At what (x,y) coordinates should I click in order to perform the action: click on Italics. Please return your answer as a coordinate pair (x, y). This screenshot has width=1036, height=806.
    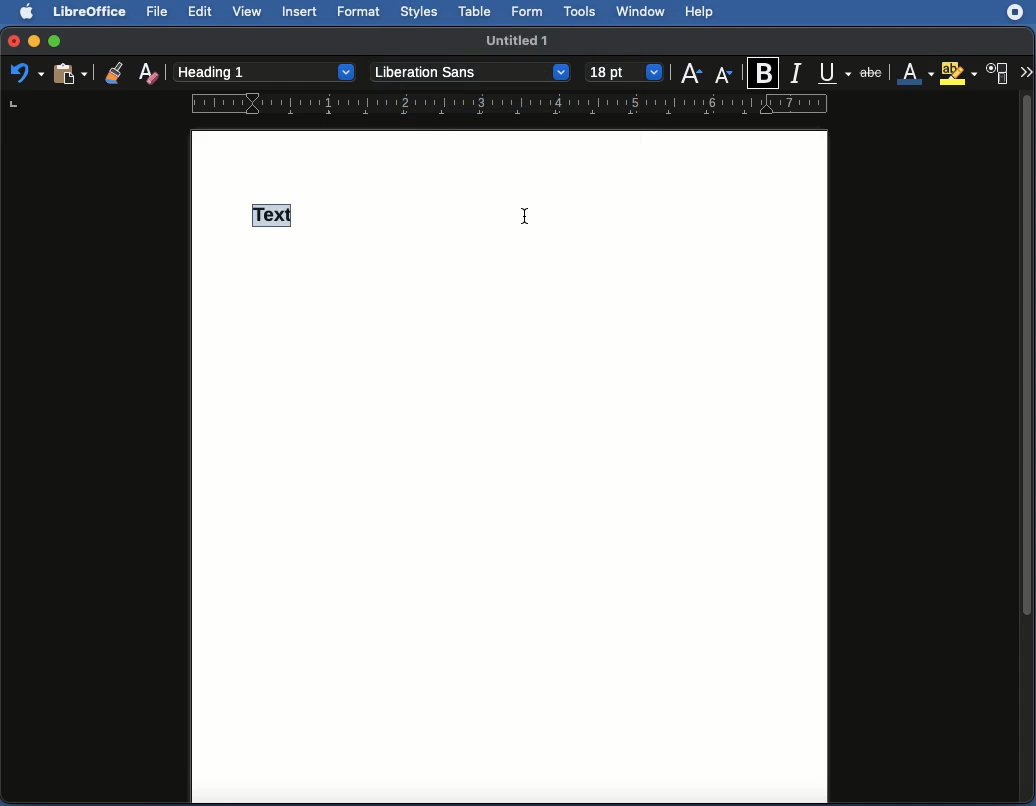
    Looking at the image, I should click on (797, 74).